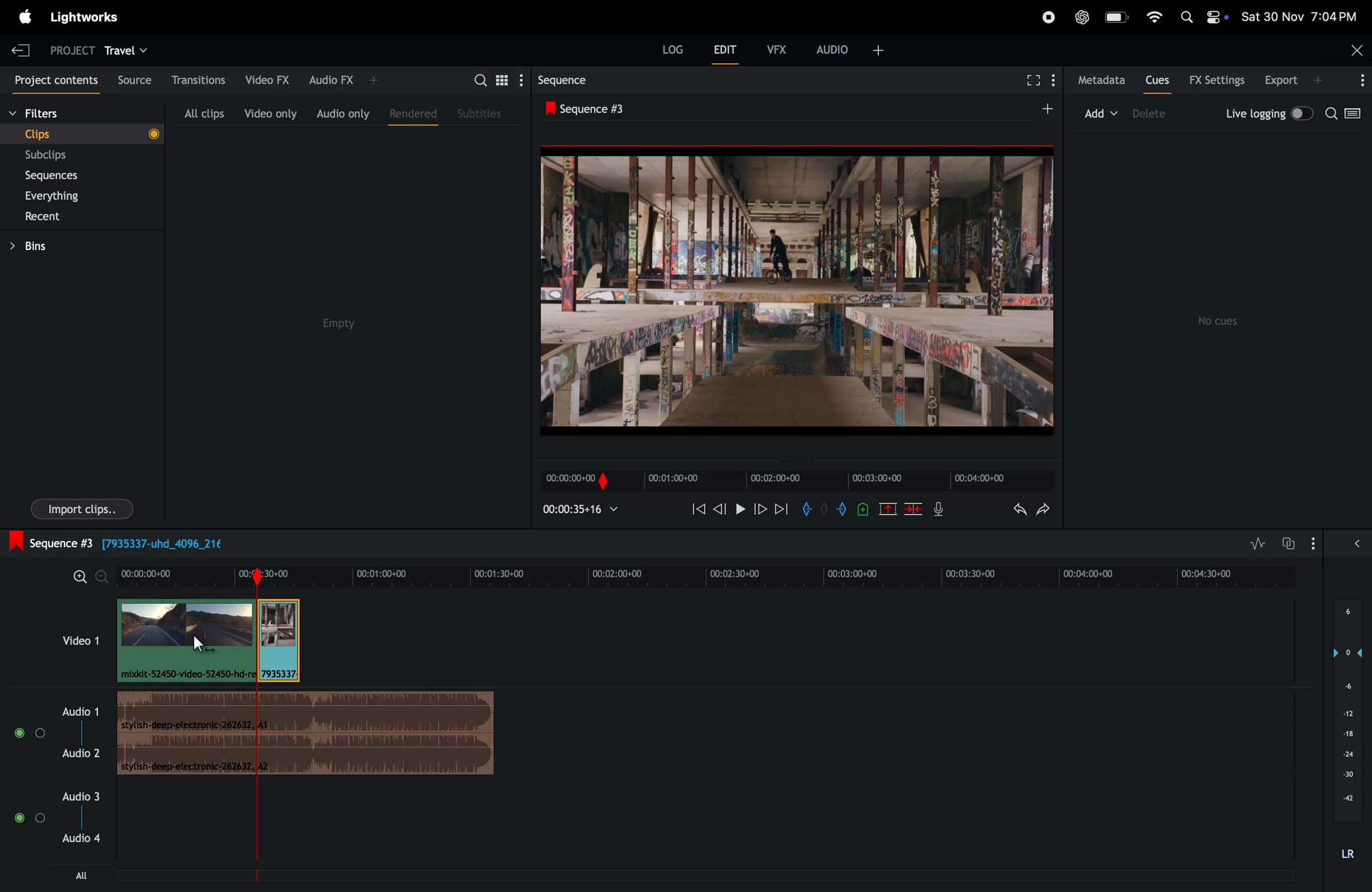  What do you see at coordinates (1155, 114) in the screenshot?
I see `delete` at bounding box center [1155, 114].